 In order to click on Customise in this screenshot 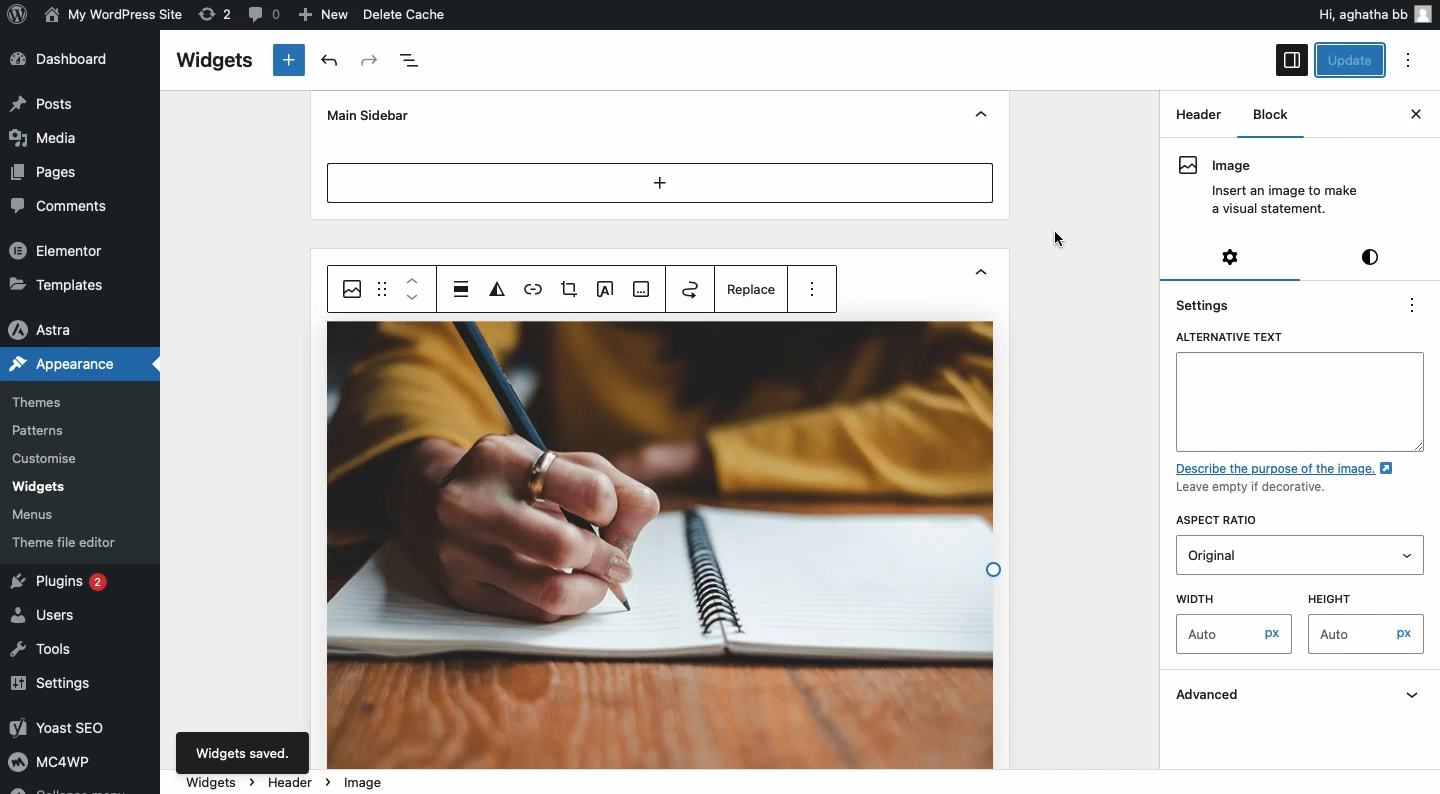, I will do `click(42, 461)`.